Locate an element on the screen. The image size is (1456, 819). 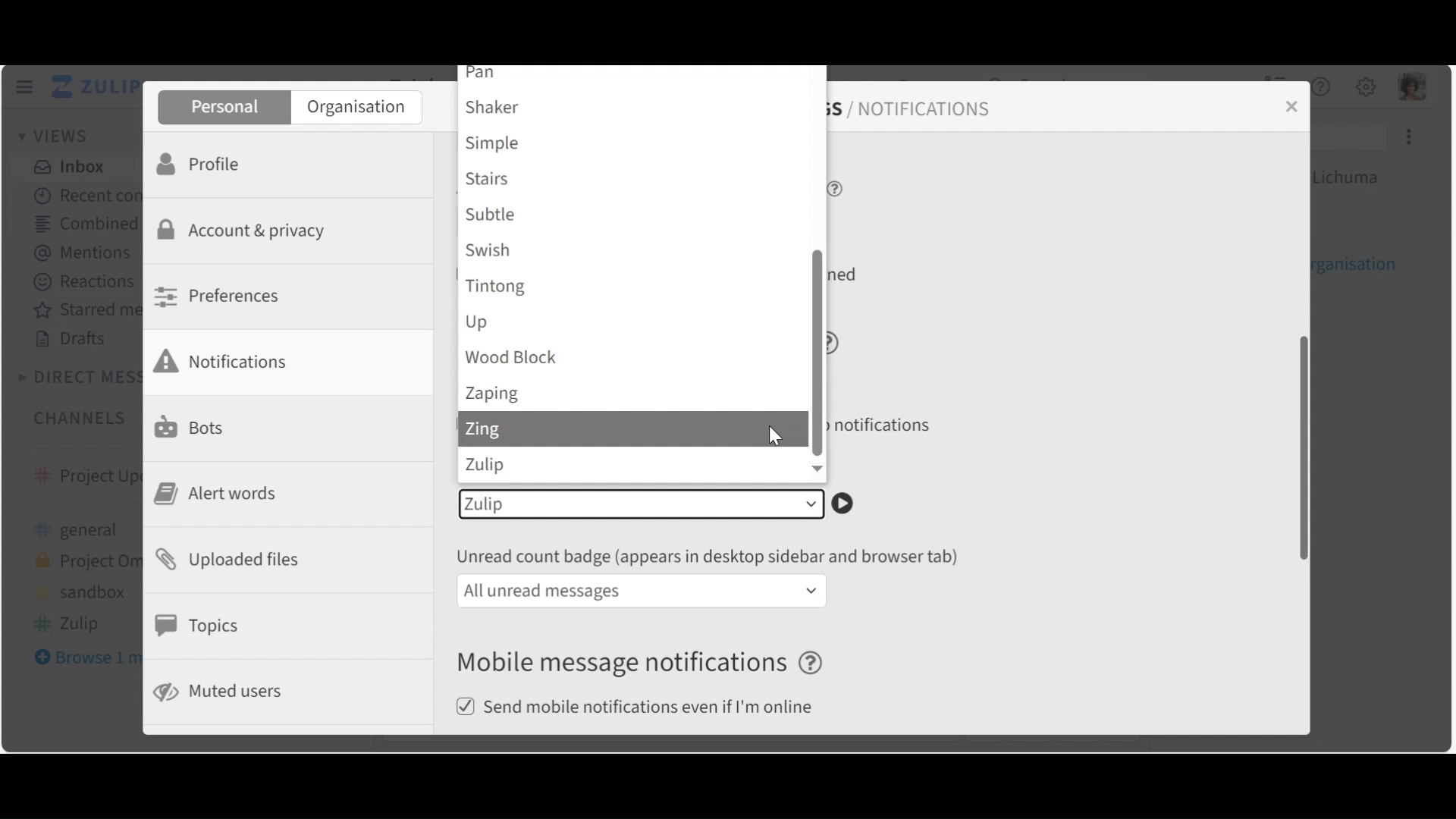
Mobile message notifications is located at coordinates (644, 664).